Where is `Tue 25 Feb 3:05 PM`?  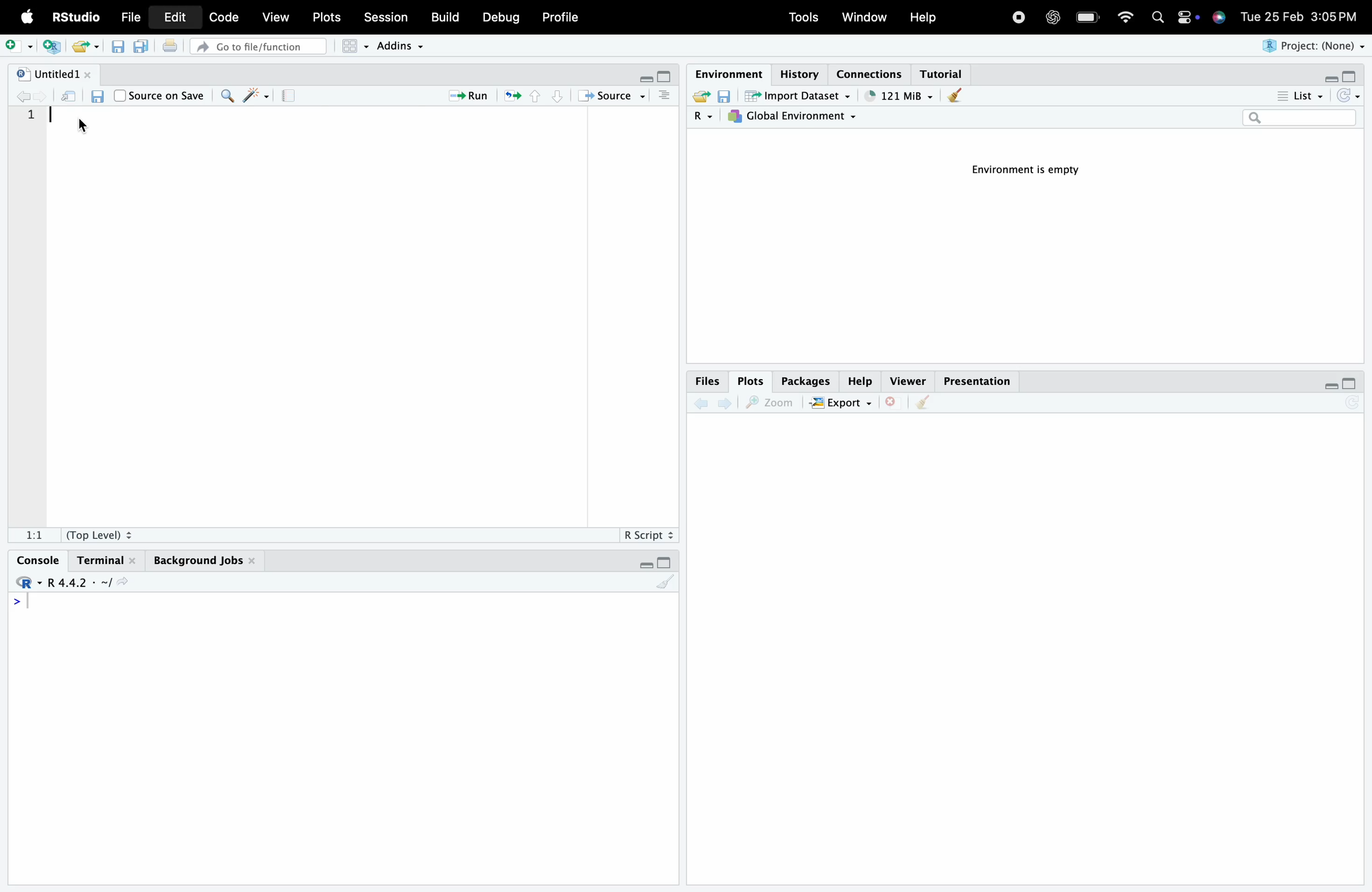
Tue 25 Feb 3:05 PM is located at coordinates (1298, 17).